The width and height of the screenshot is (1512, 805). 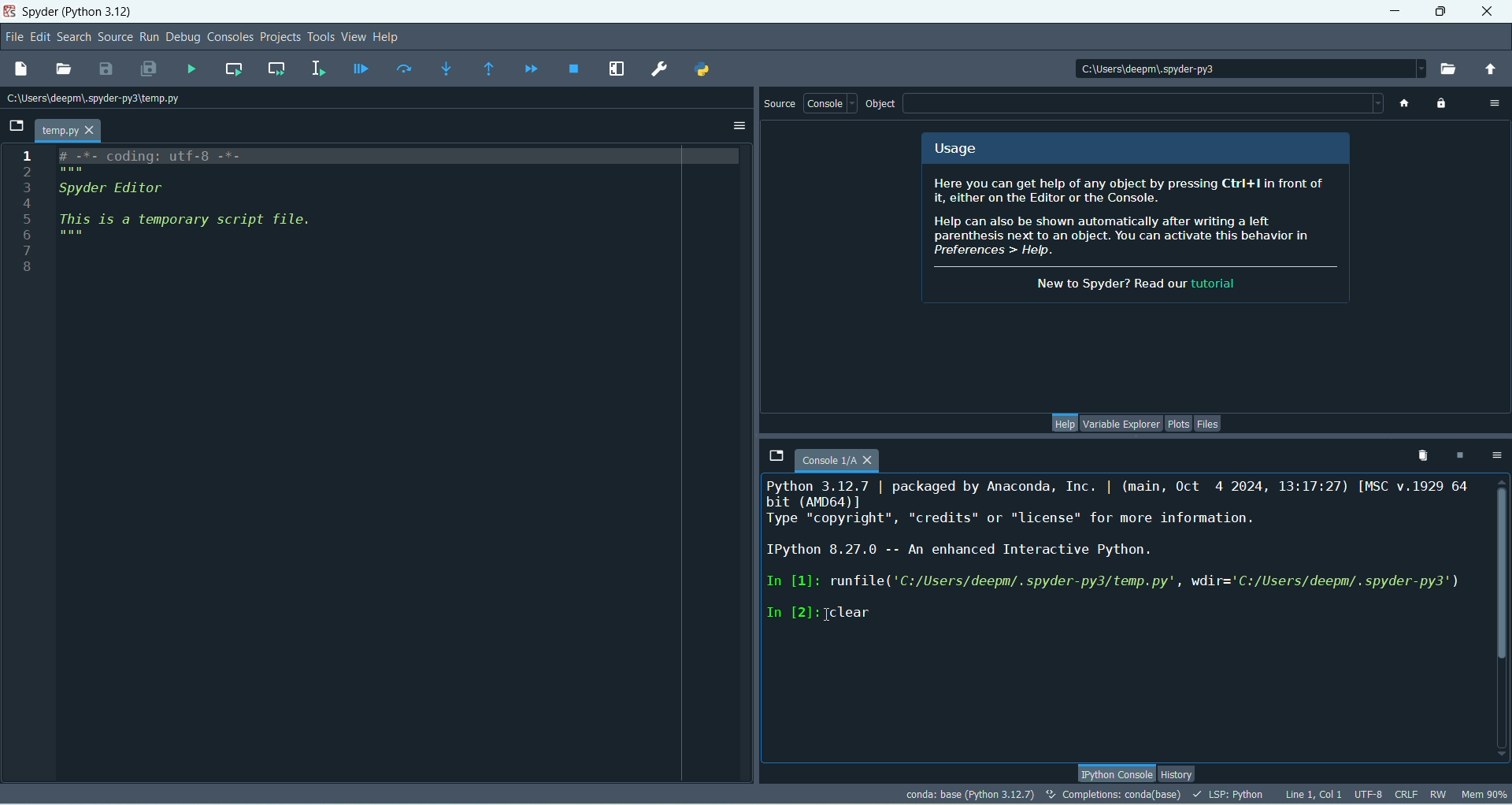 What do you see at coordinates (956, 151) in the screenshot?
I see `usage` at bounding box center [956, 151].